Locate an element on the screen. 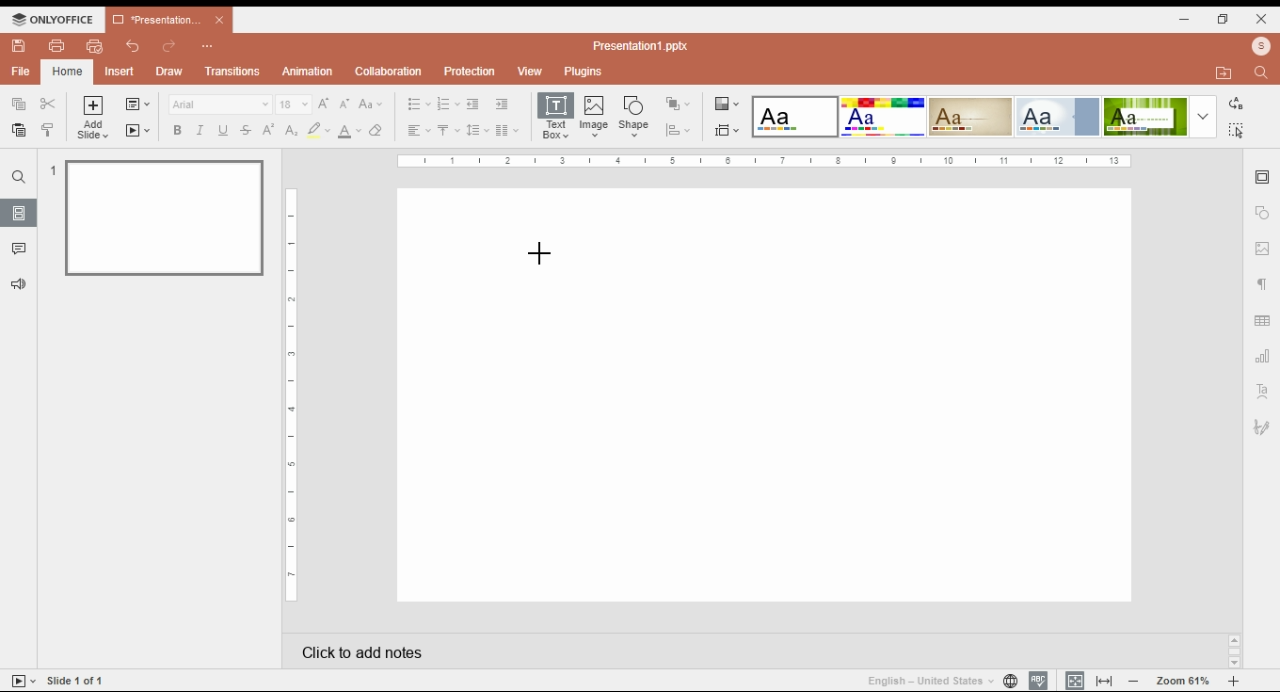 The height and width of the screenshot is (692, 1280). signature settings is located at coordinates (1264, 427).